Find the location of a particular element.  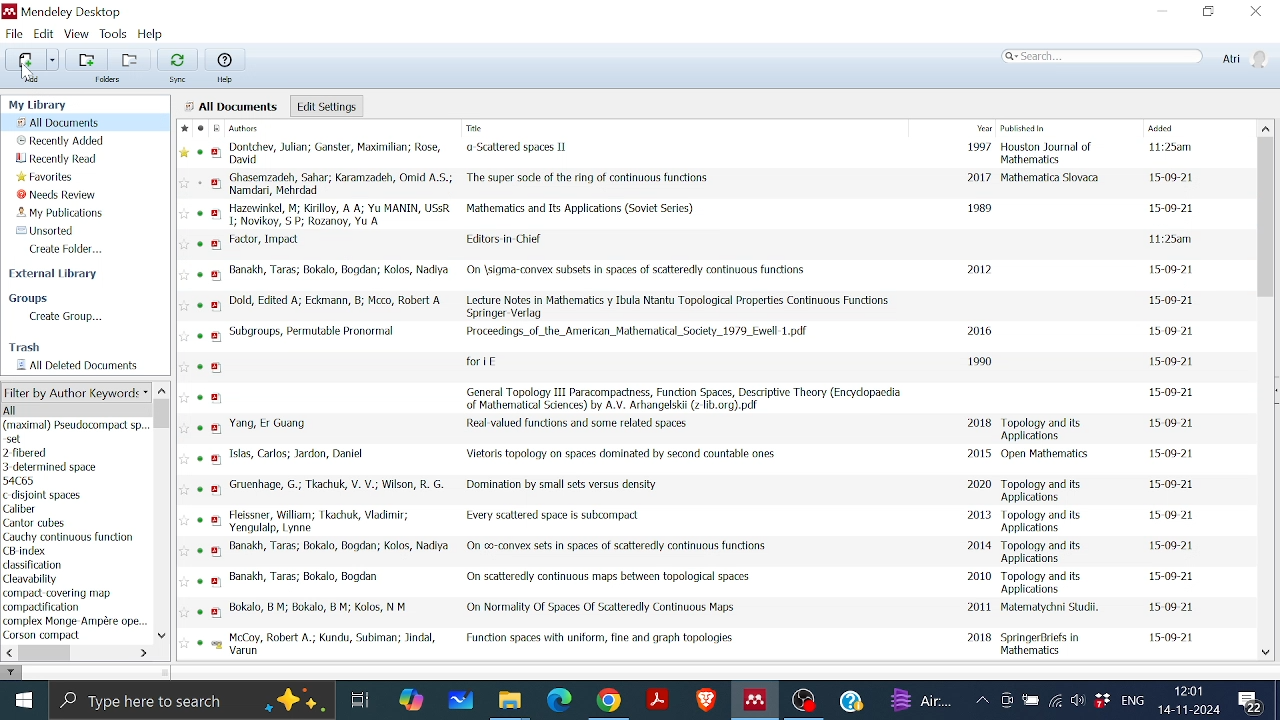

Author is located at coordinates (333, 483).